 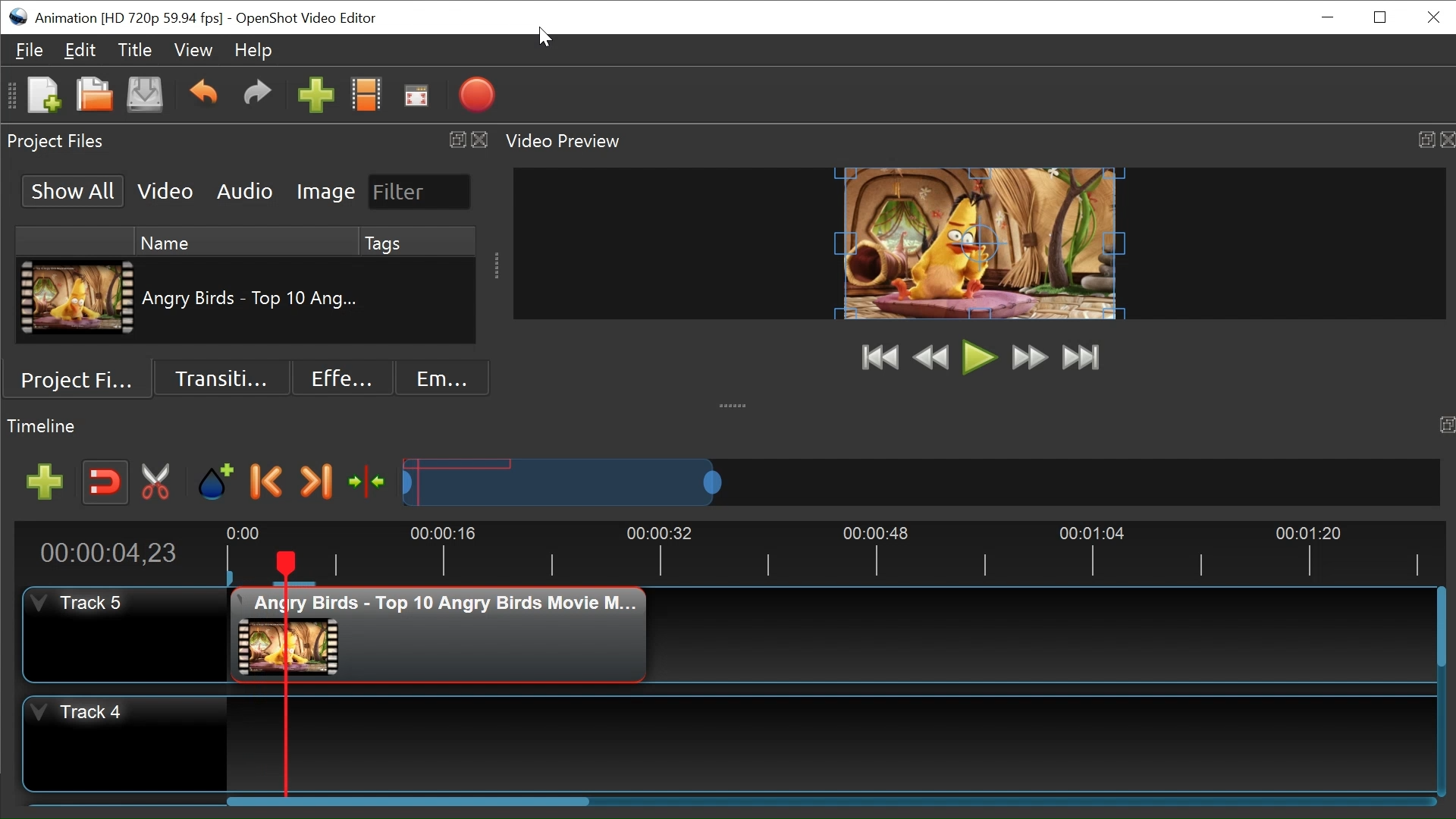 I want to click on Tags, so click(x=418, y=241).